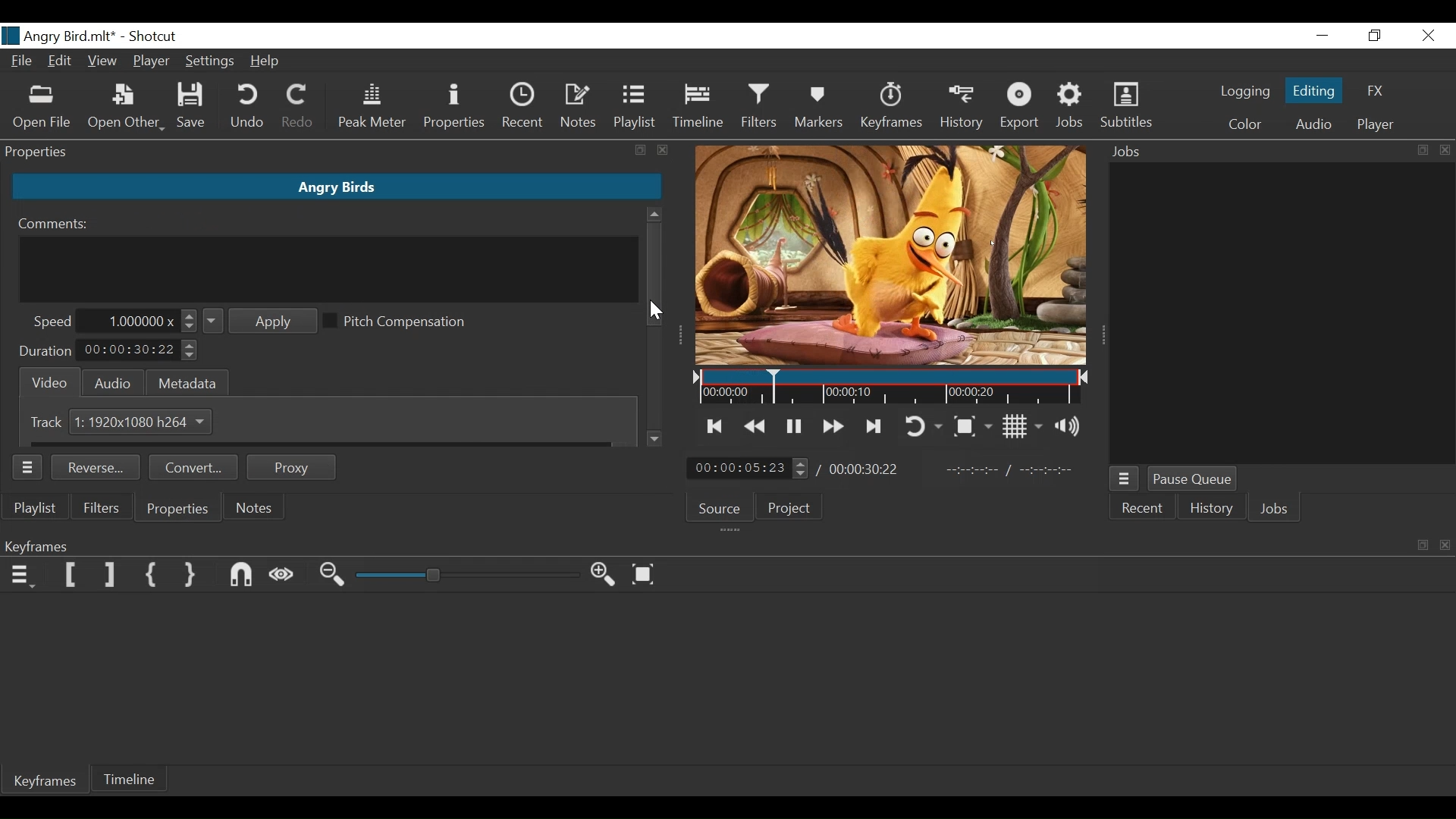  I want to click on Open File, so click(40, 108).